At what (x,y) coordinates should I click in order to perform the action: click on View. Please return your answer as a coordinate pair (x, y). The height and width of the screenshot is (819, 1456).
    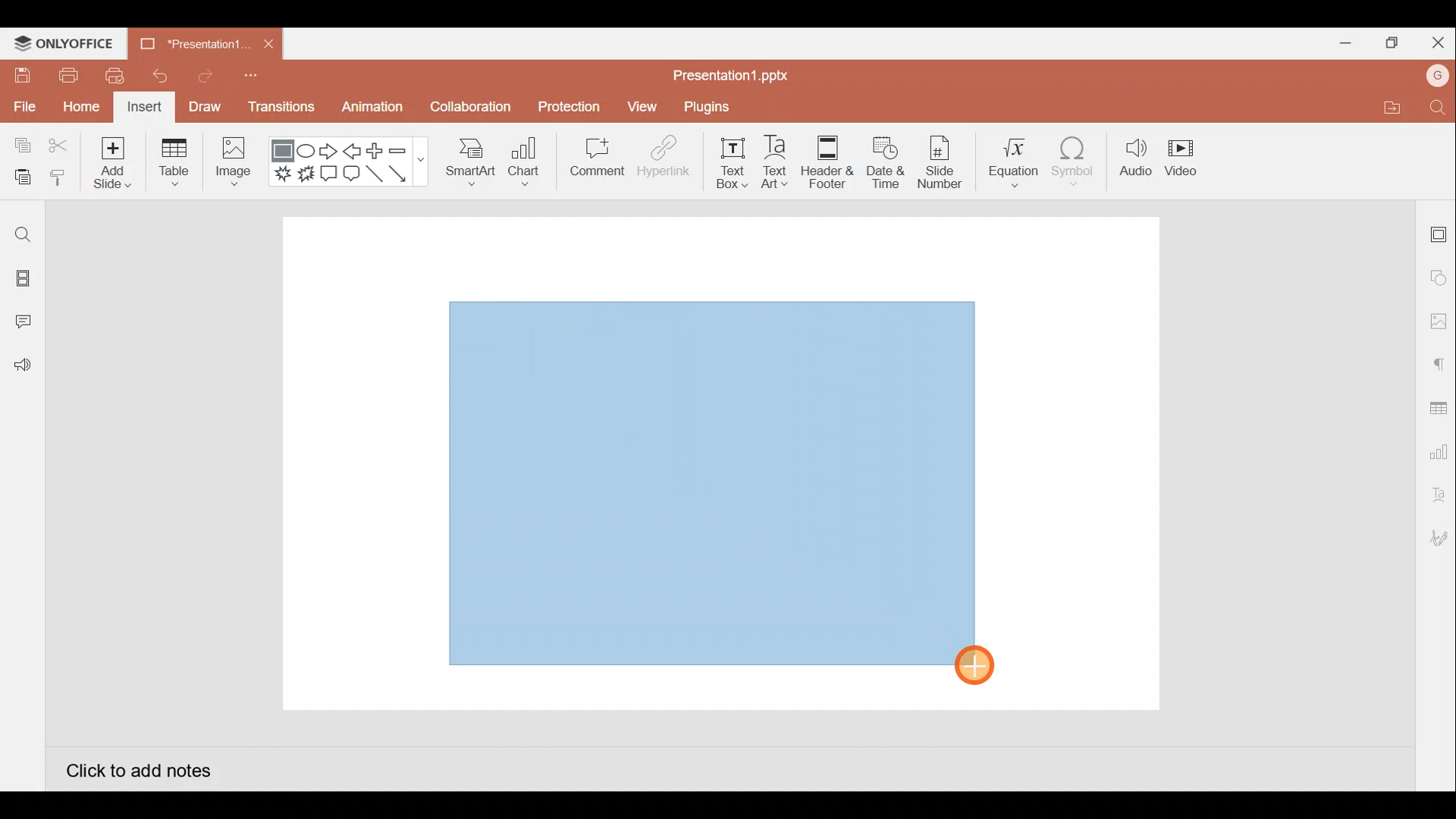
    Looking at the image, I should click on (645, 103).